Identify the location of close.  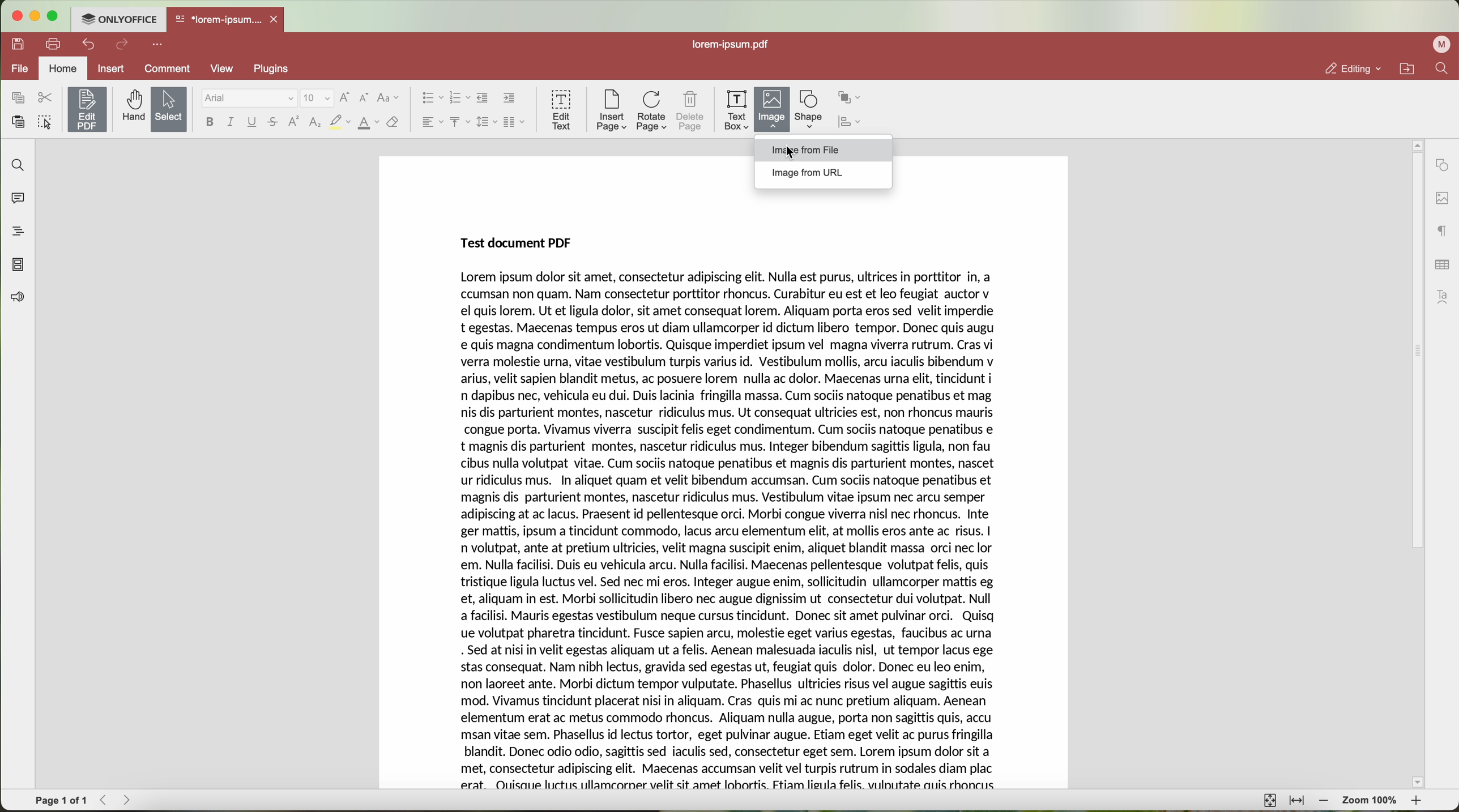
(276, 19).